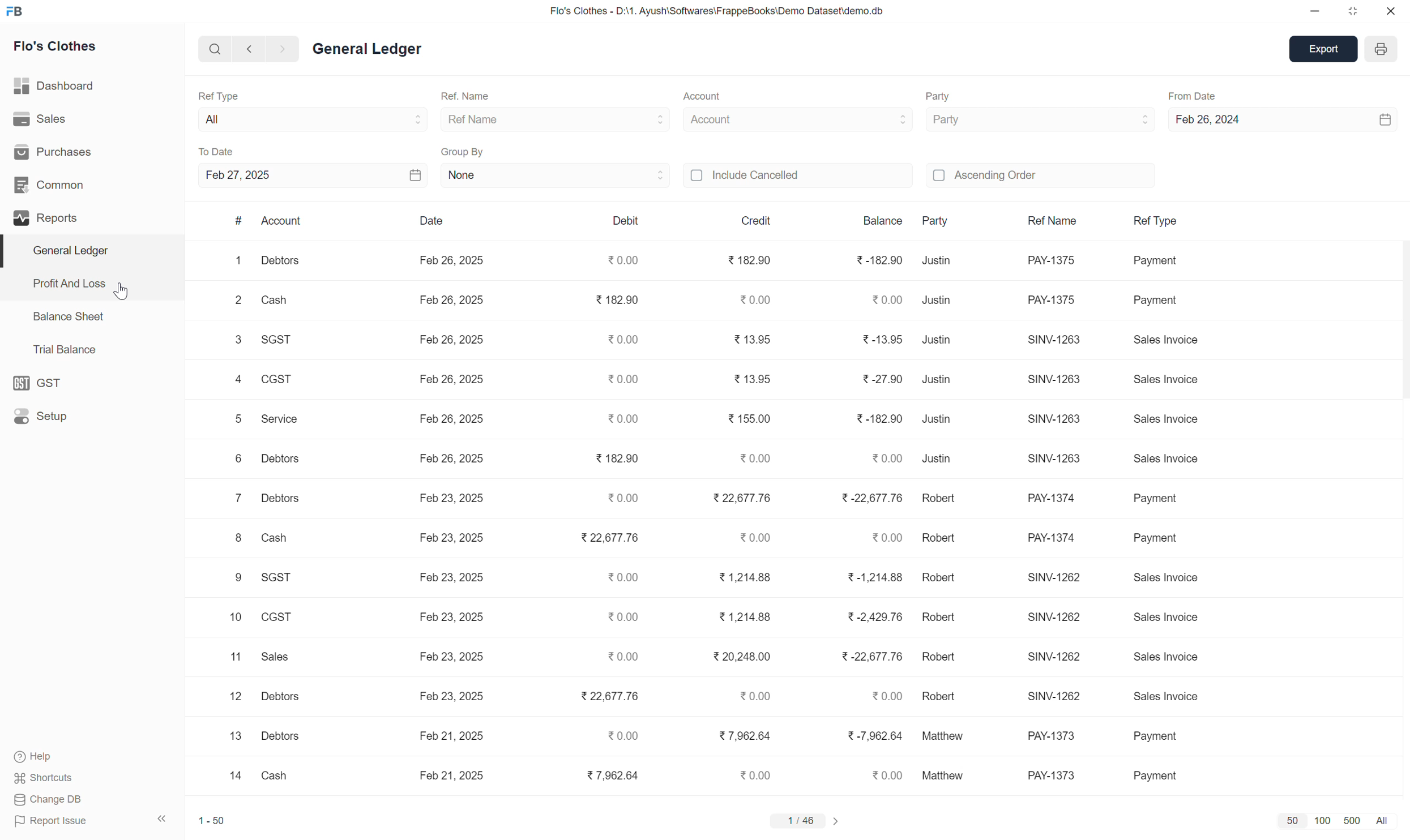 This screenshot has width=1410, height=840. I want to click on dashboard, so click(55, 83).